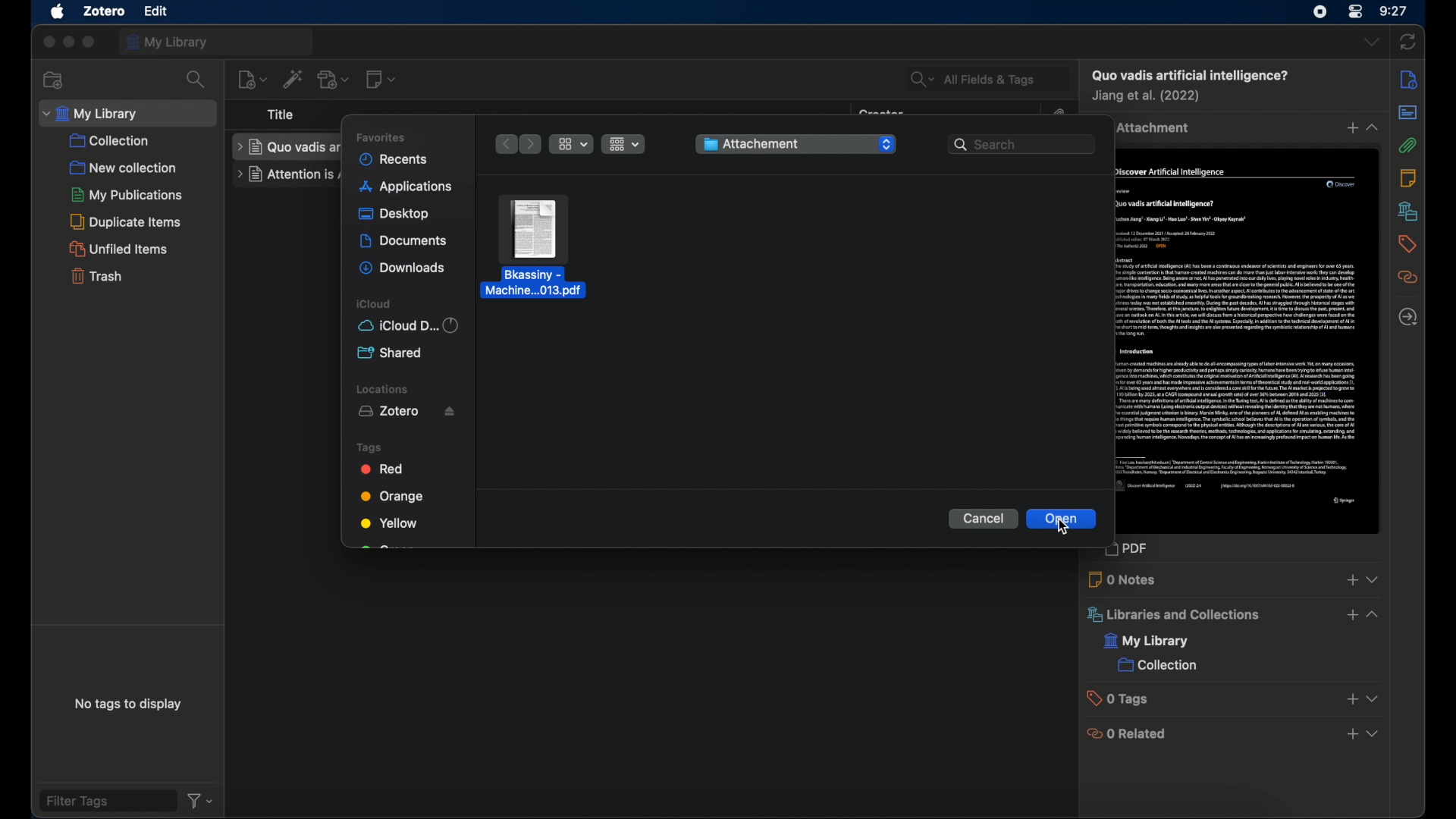 The height and width of the screenshot is (819, 1456). I want to click on related, so click(1407, 278).